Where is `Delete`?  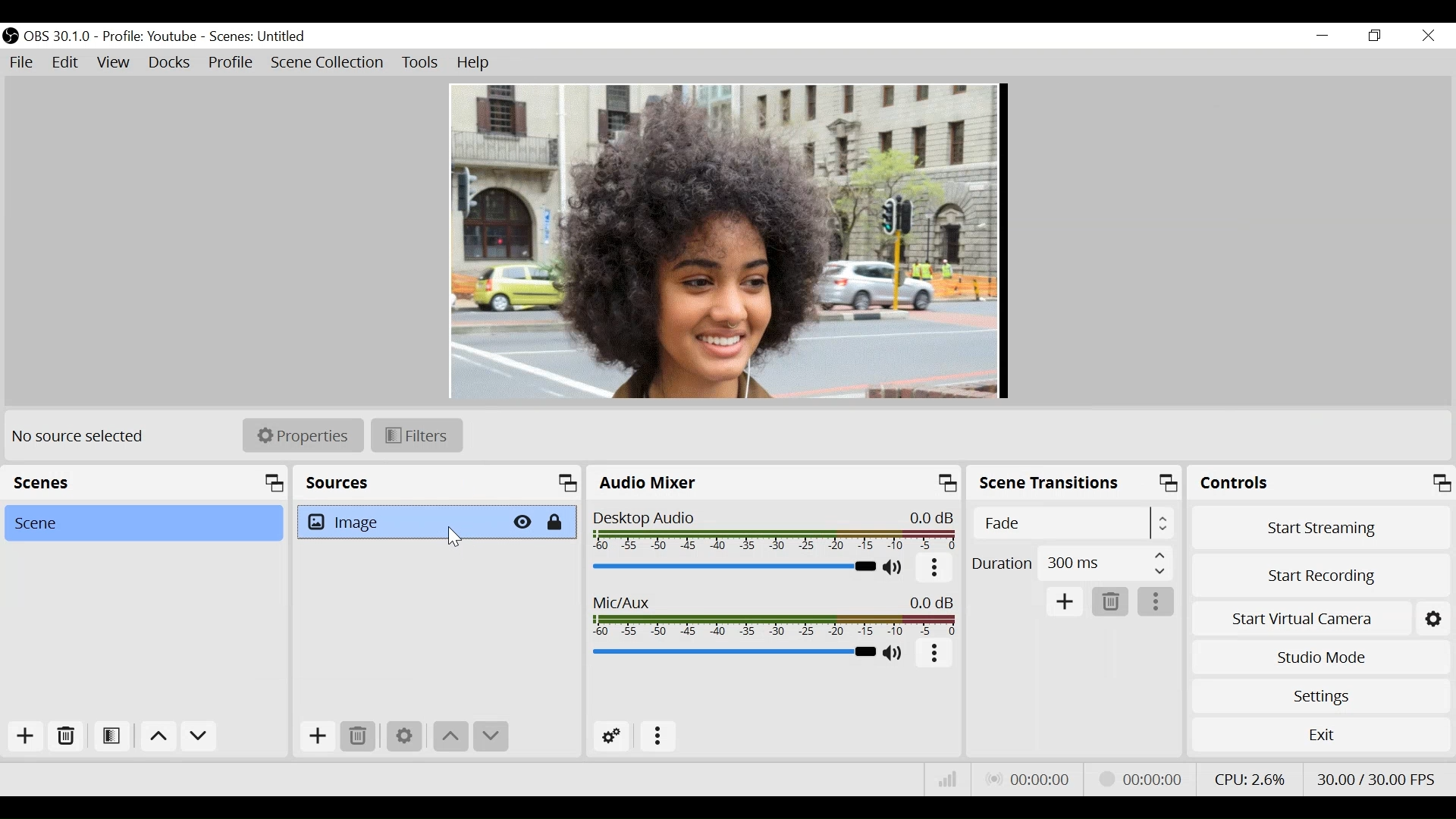
Delete is located at coordinates (1109, 602).